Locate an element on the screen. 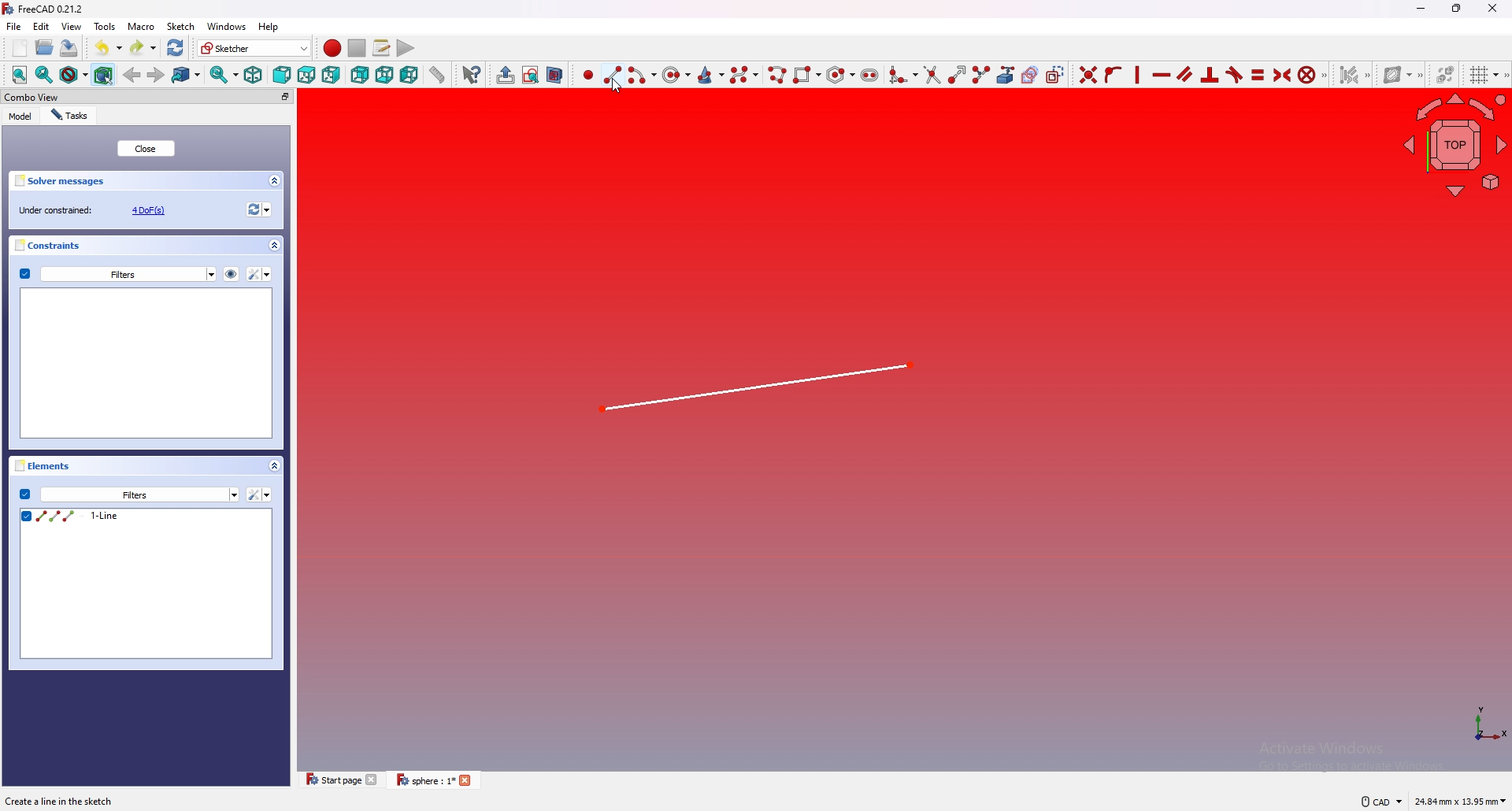 The height and width of the screenshot is (811, 1512). Switch virtual space is located at coordinates (1443, 75).